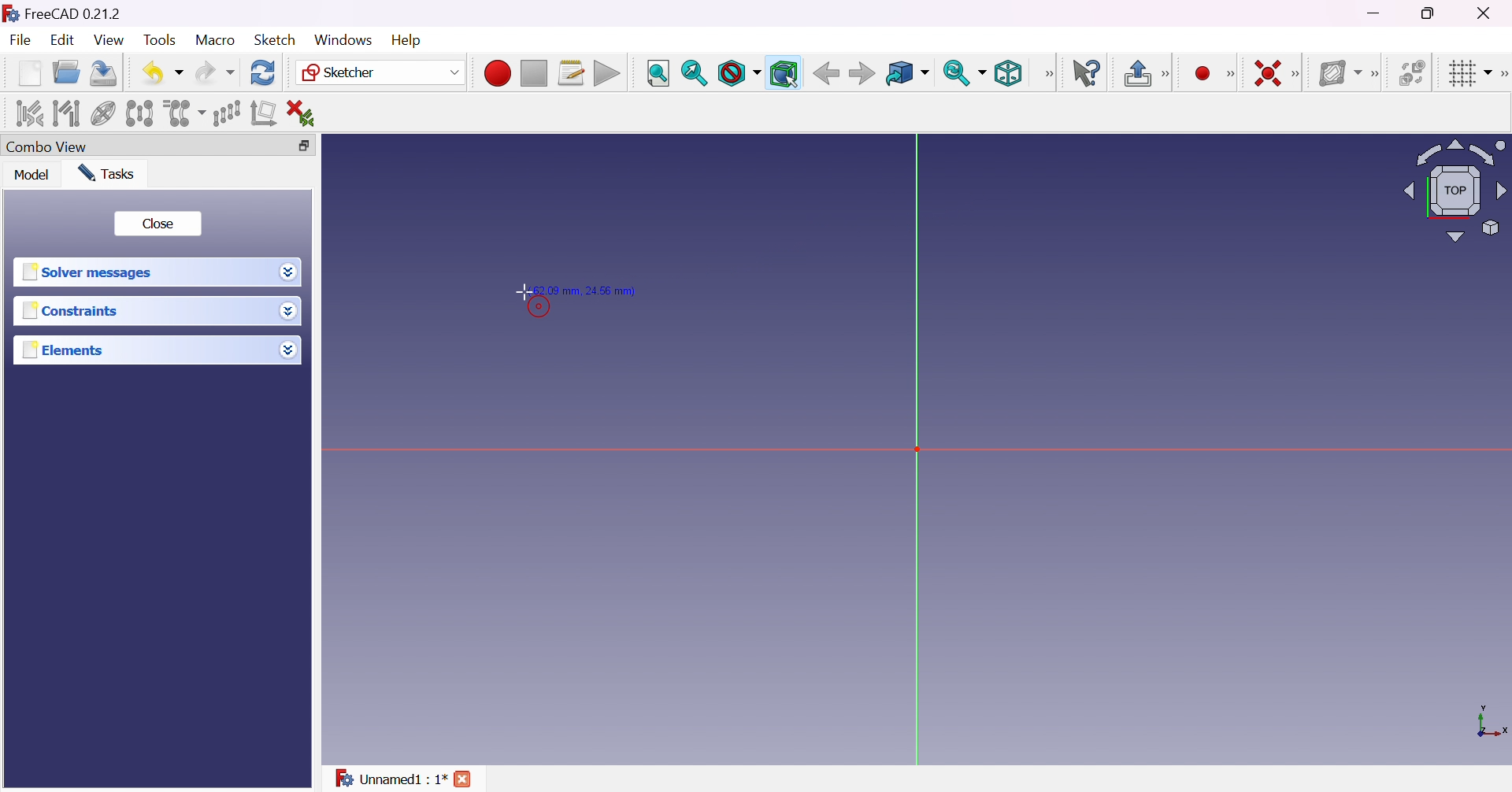 The image size is (1512, 792). I want to click on Open..., so click(65, 73).